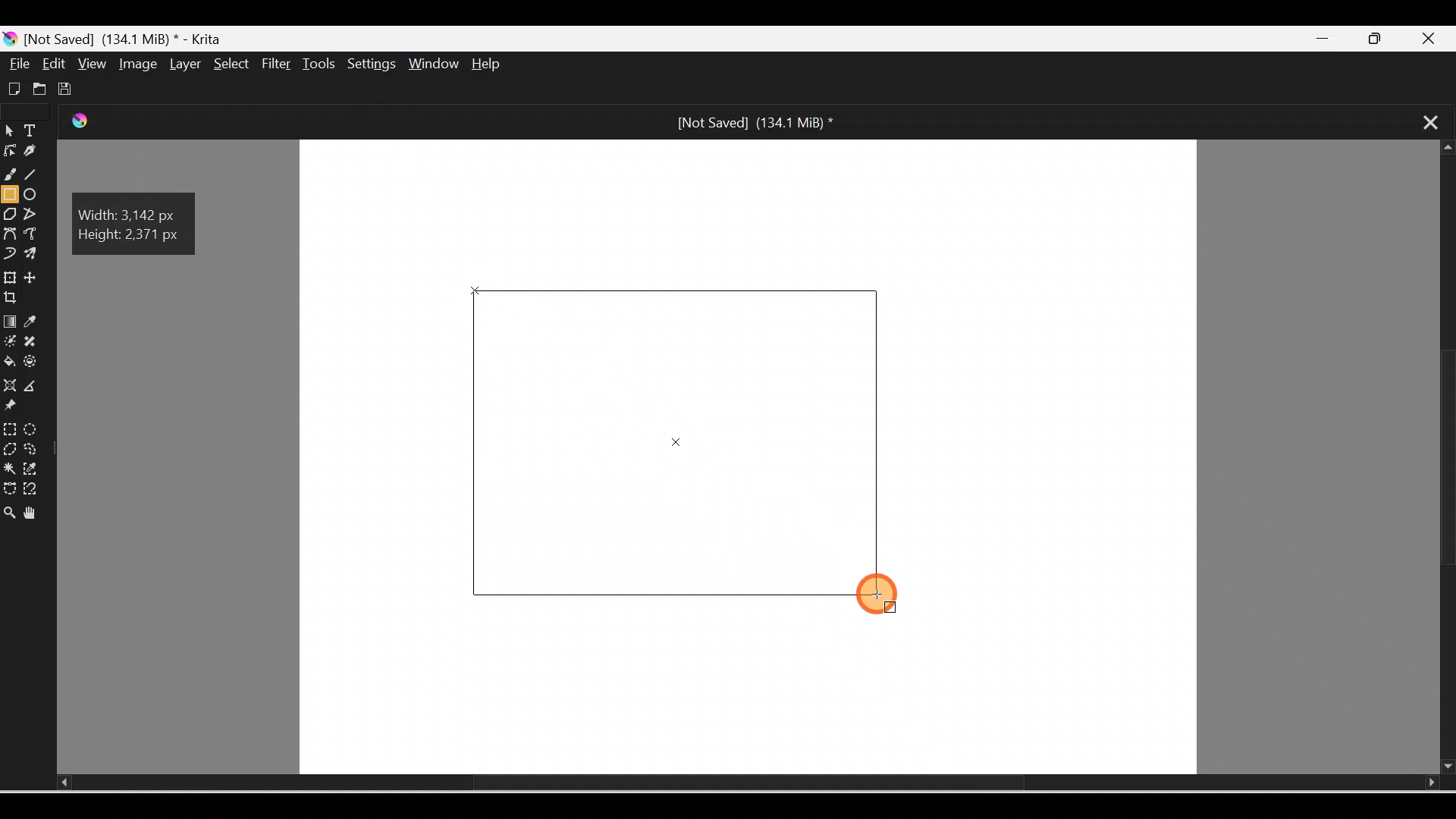  Describe the element at coordinates (32, 152) in the screenshot. I see `Calligraphy` at that location.